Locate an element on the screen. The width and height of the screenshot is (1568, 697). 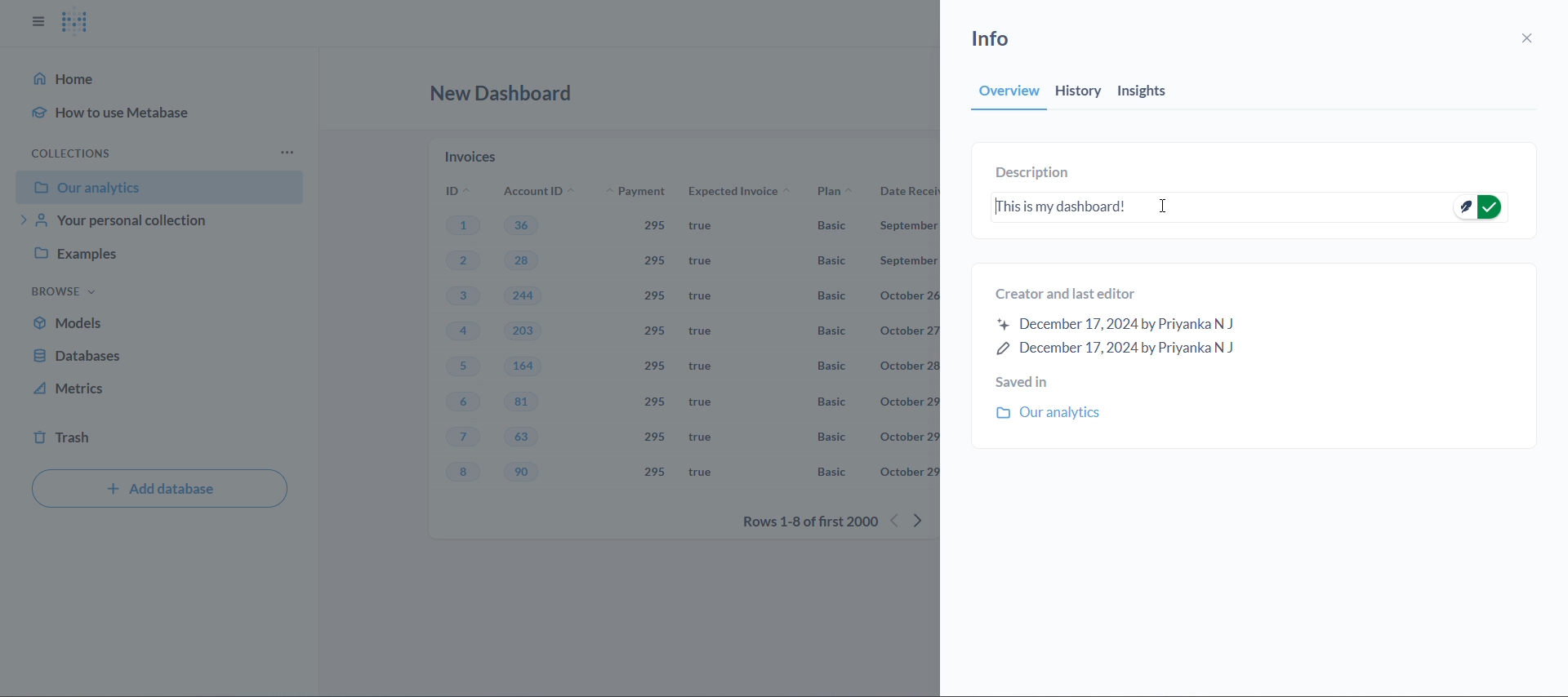
Basic is located at coordinates (836, 366).